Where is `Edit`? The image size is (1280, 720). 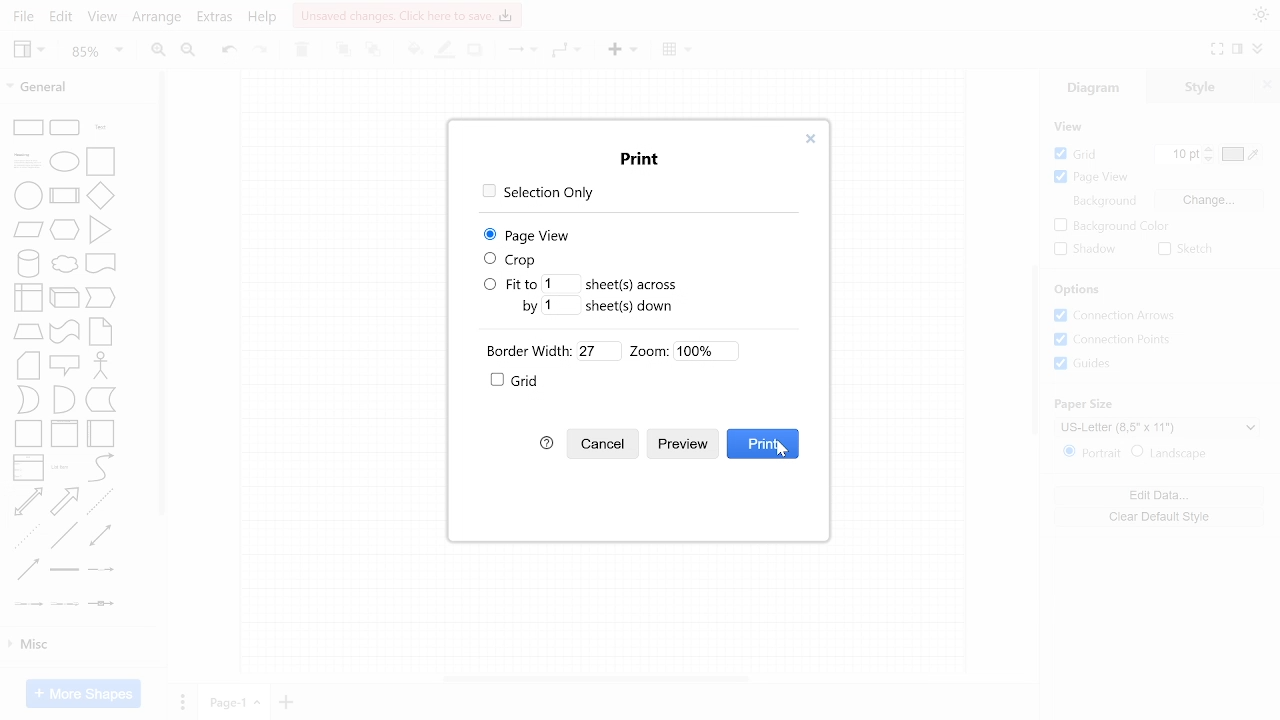
Edit is located at coordinates (62, 17).